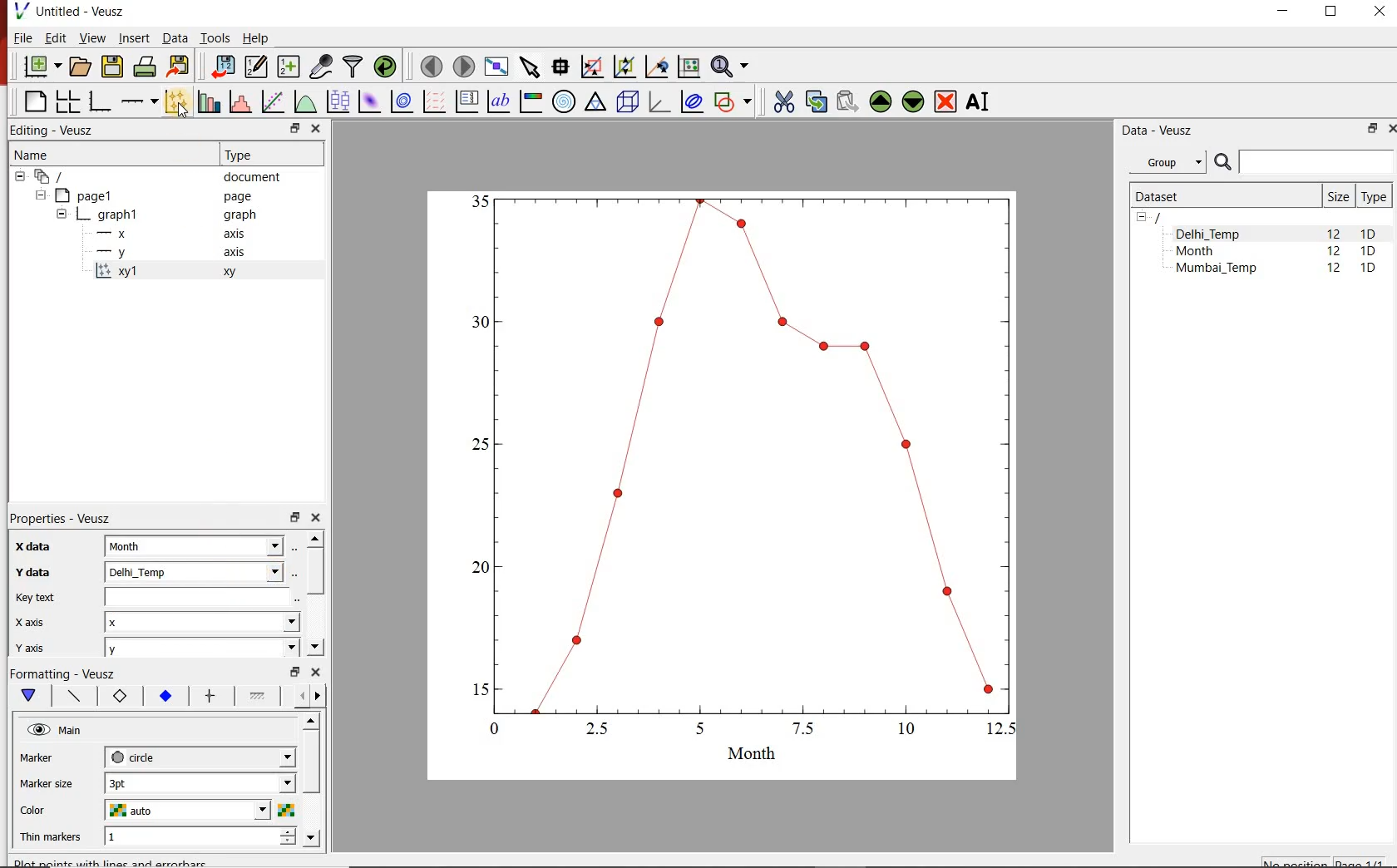  What do you see at coordinates (203, 621) in the screenshot?
I see `x` at bounding box center [203, 621].